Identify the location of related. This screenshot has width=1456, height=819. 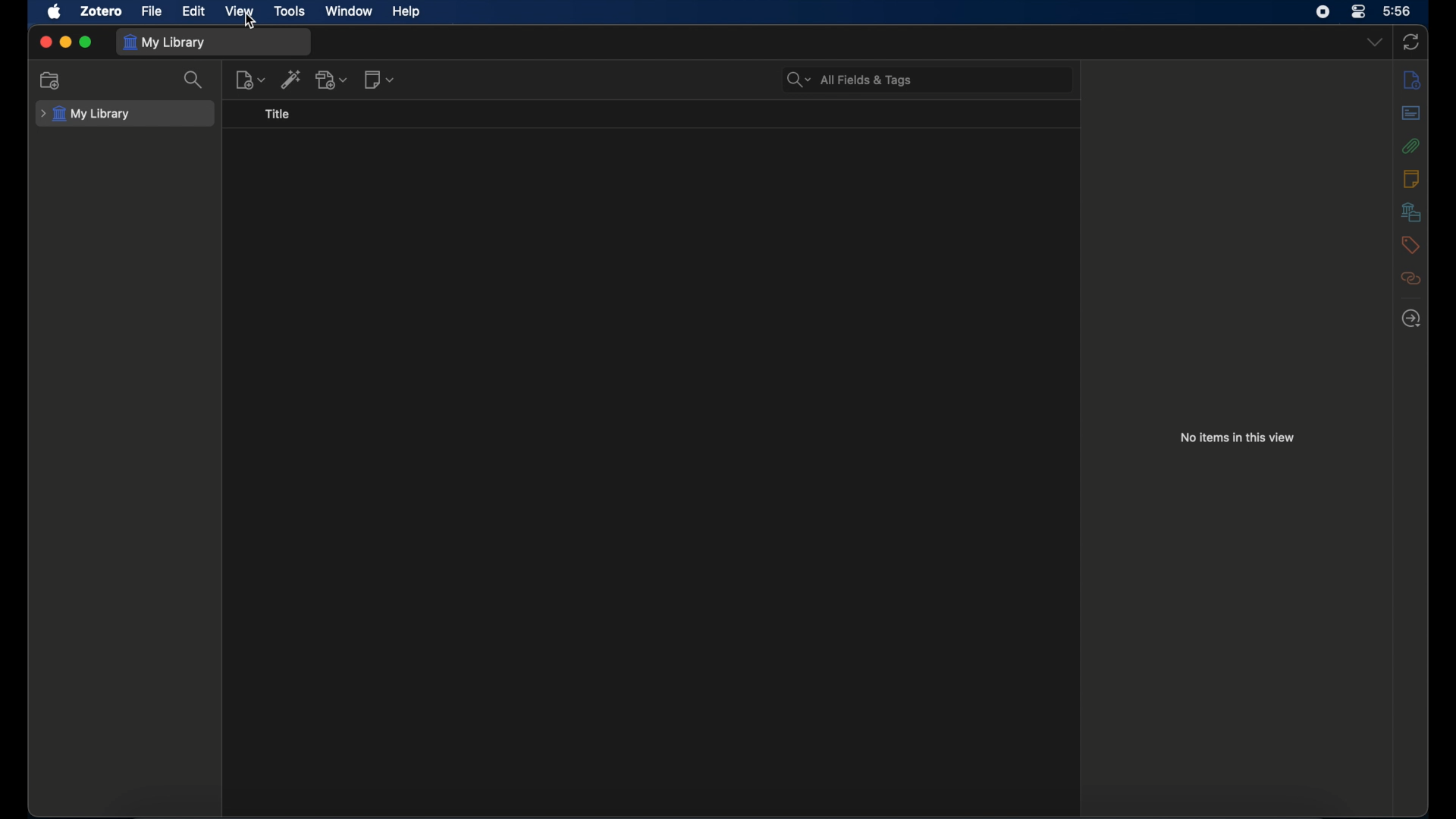
(1410, 278).